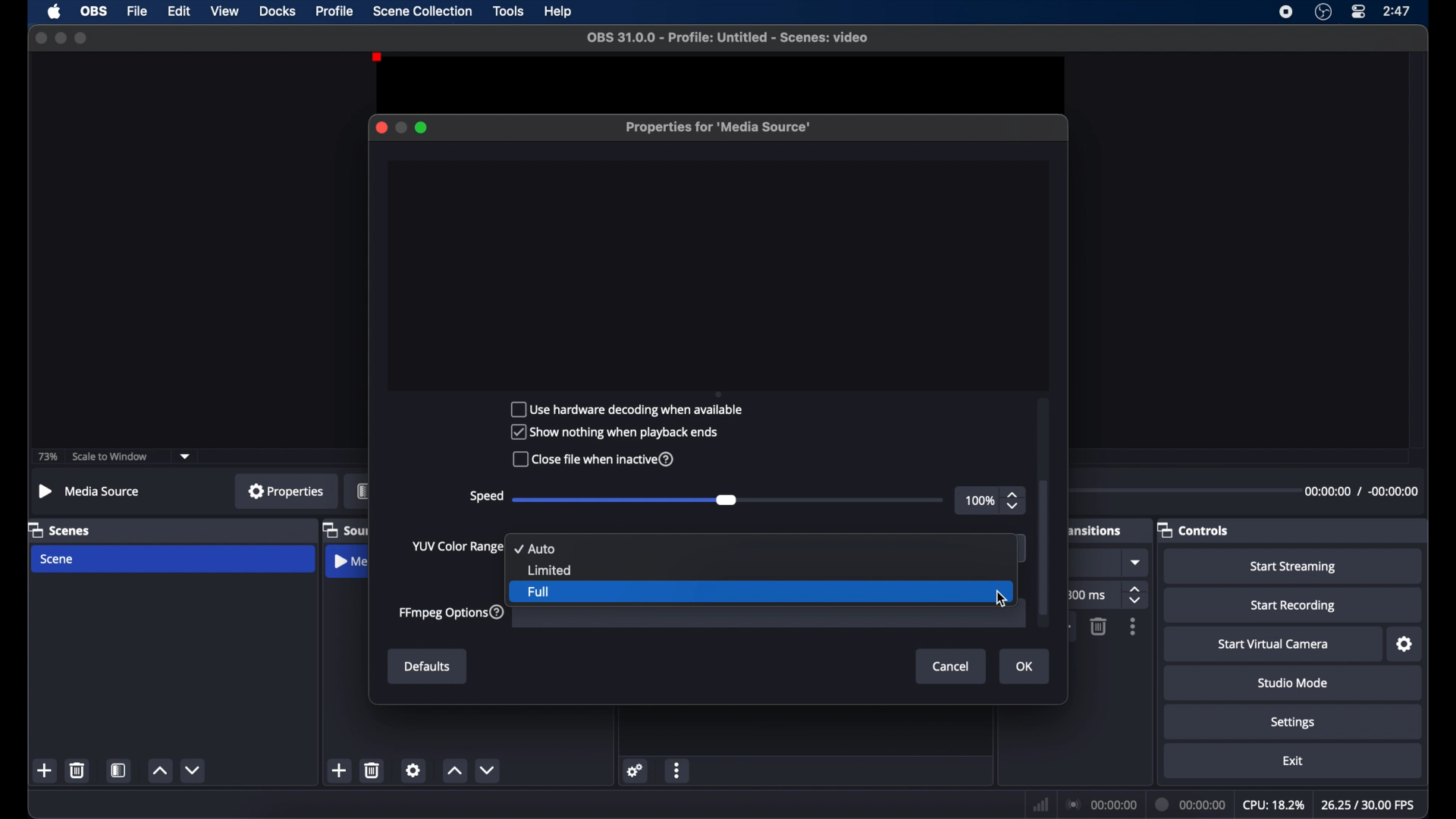  Describe the element at coordinates (1102, 805) in the screenshot. I see `connection` at that location.